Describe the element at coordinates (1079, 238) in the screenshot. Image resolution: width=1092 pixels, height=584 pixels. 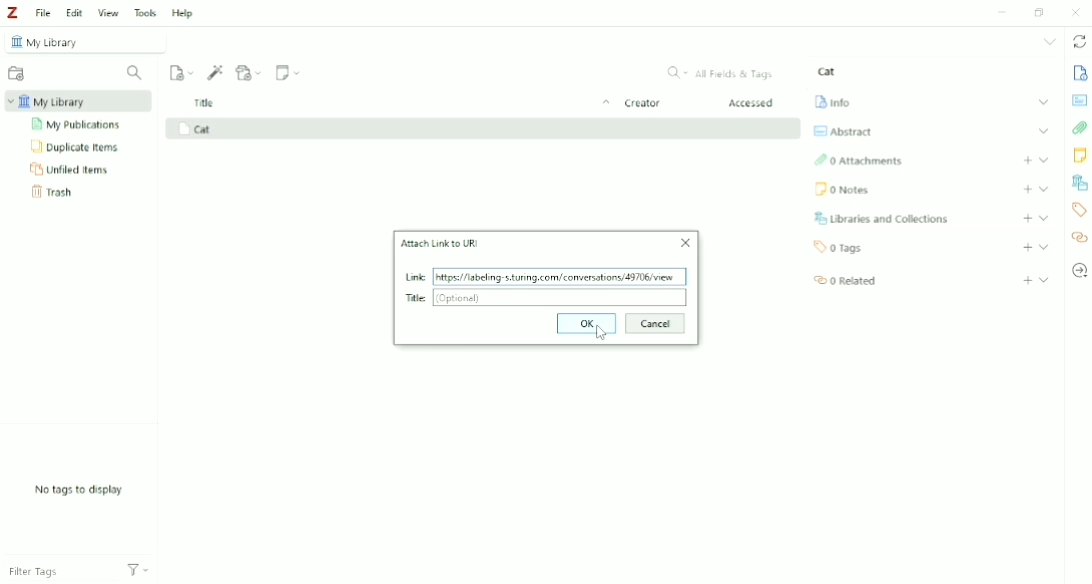
I see `Related` at that location.